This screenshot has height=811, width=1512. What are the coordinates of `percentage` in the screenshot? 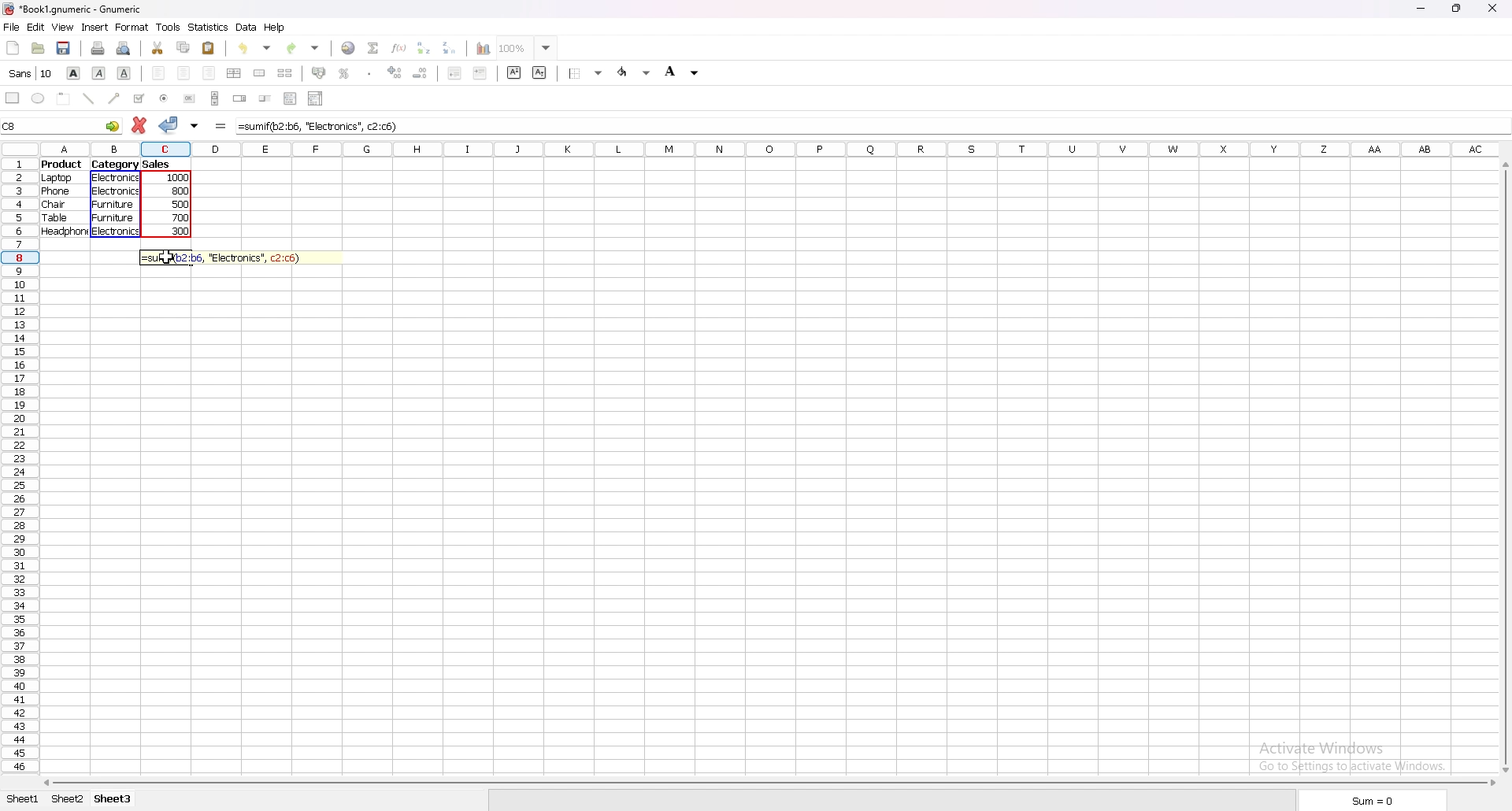 It's located at (344, 72).